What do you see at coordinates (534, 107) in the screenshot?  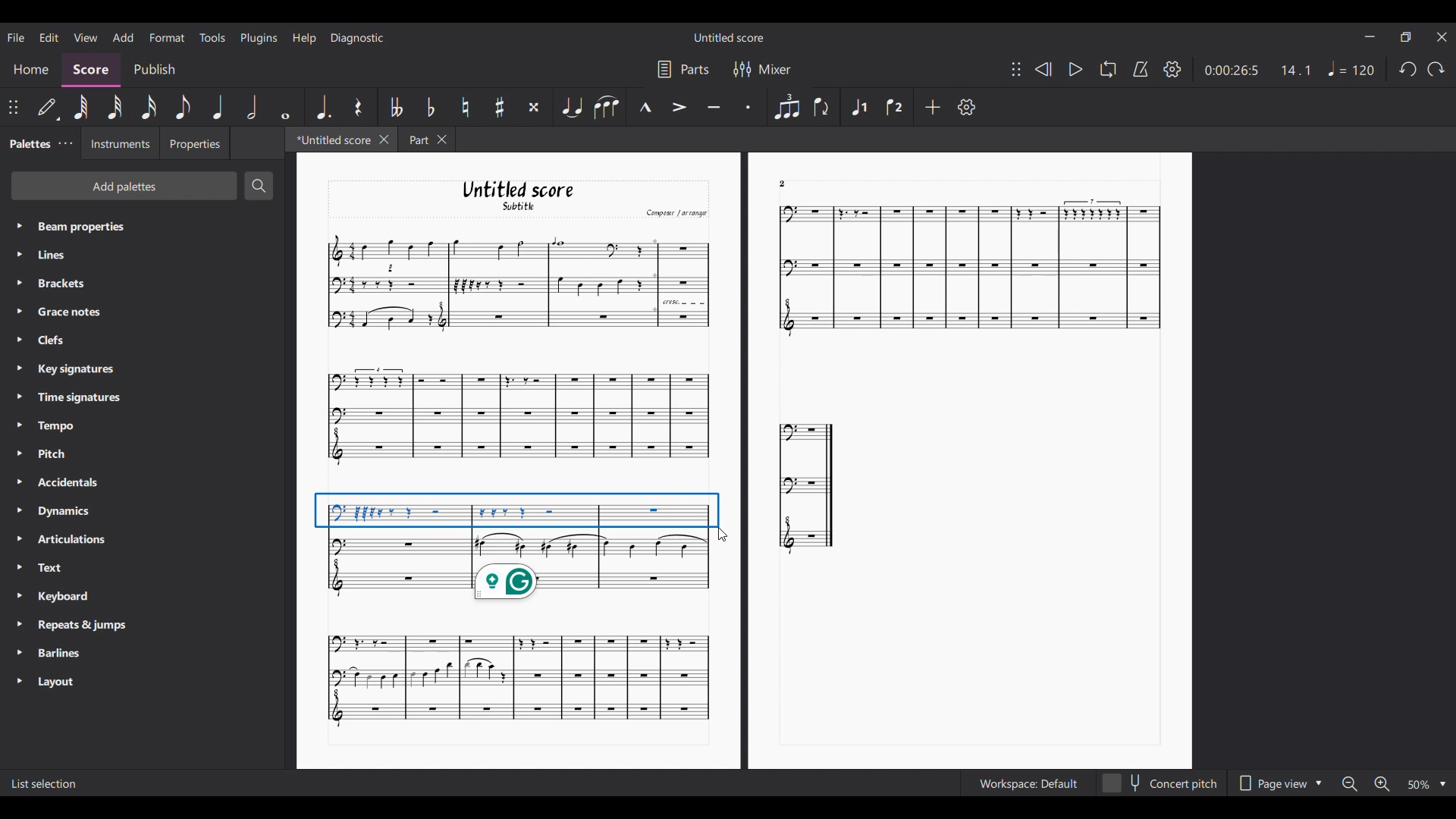 I see `Toggle double sharp` at bounding box center [534, 107].